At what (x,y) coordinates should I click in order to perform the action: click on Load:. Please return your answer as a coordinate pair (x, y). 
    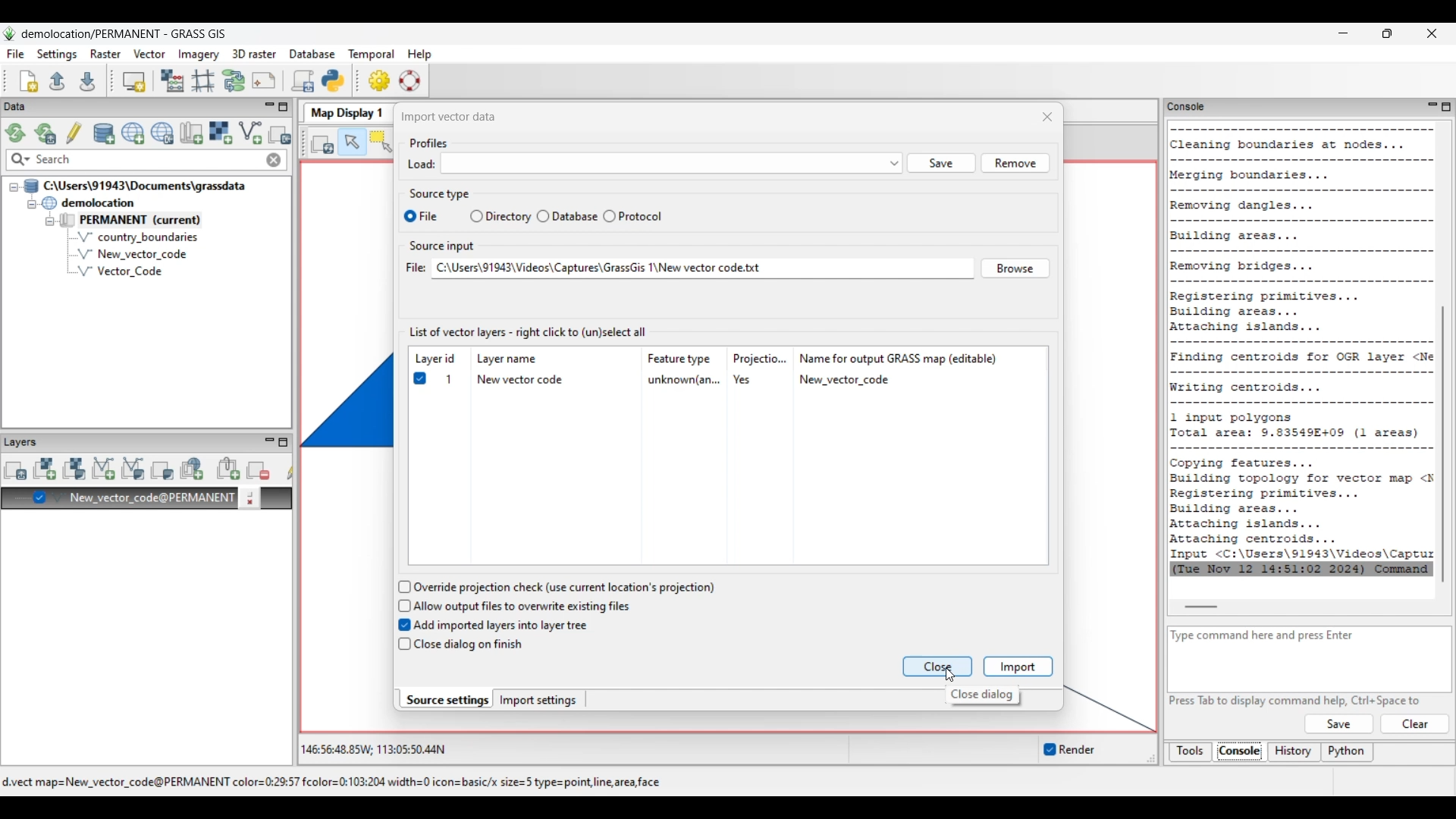
    Looking at the image, I should click on (422, 166).